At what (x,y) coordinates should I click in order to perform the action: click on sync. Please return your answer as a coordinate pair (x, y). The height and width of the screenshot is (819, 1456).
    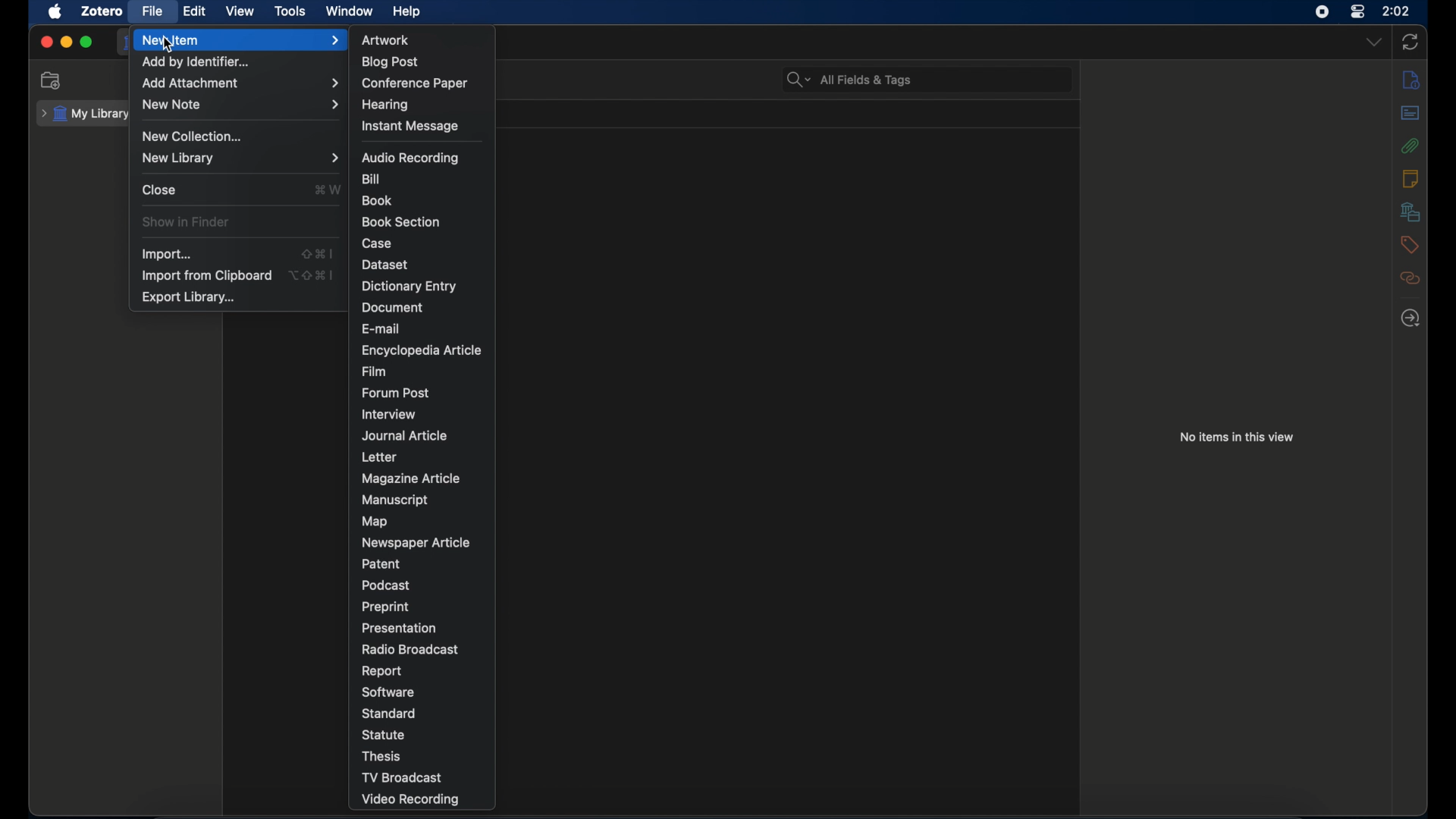
    Looking at the image, I should click on (1411, 42).